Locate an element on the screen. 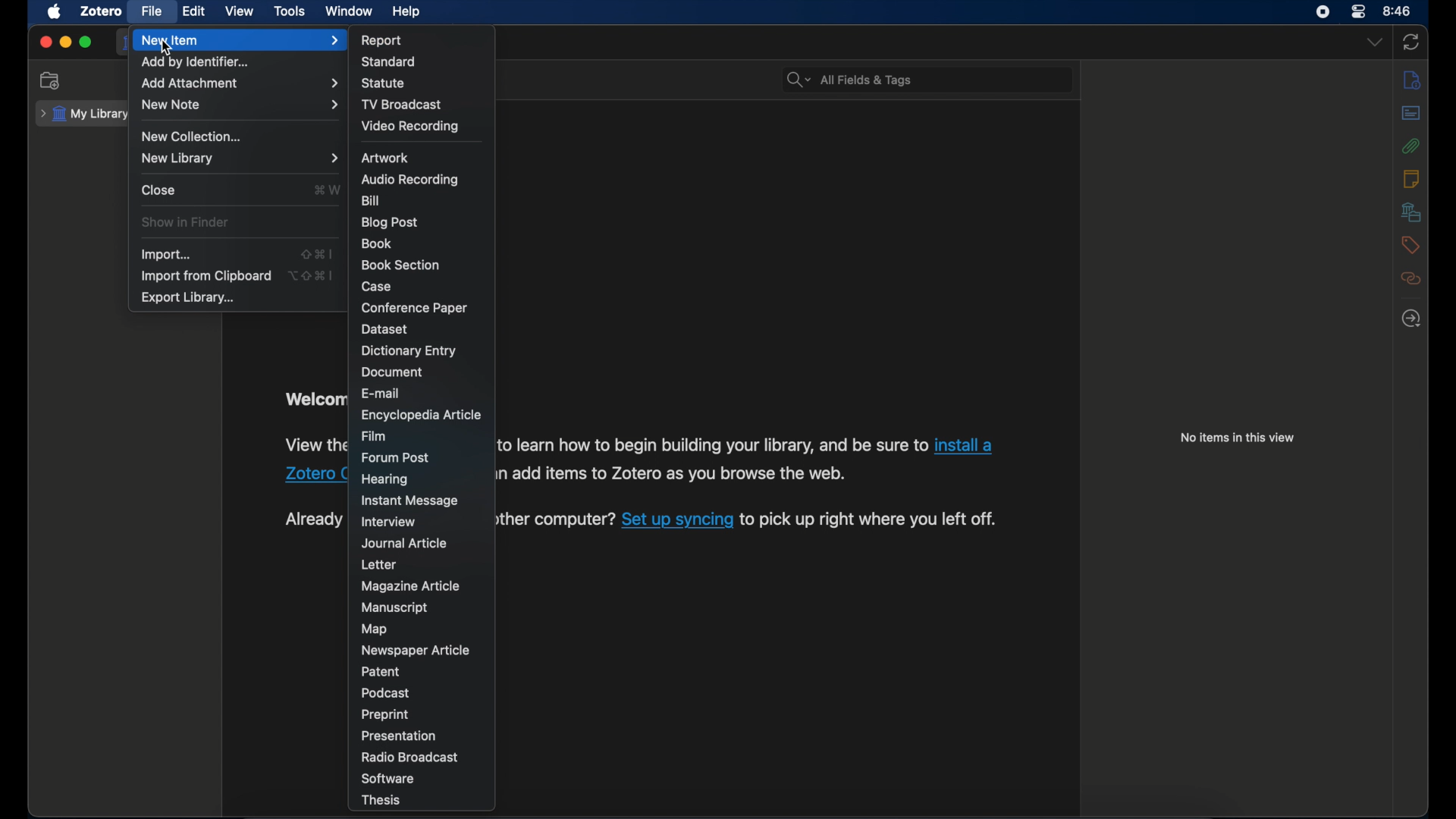  audio recording is located at coordinates (409, 180).